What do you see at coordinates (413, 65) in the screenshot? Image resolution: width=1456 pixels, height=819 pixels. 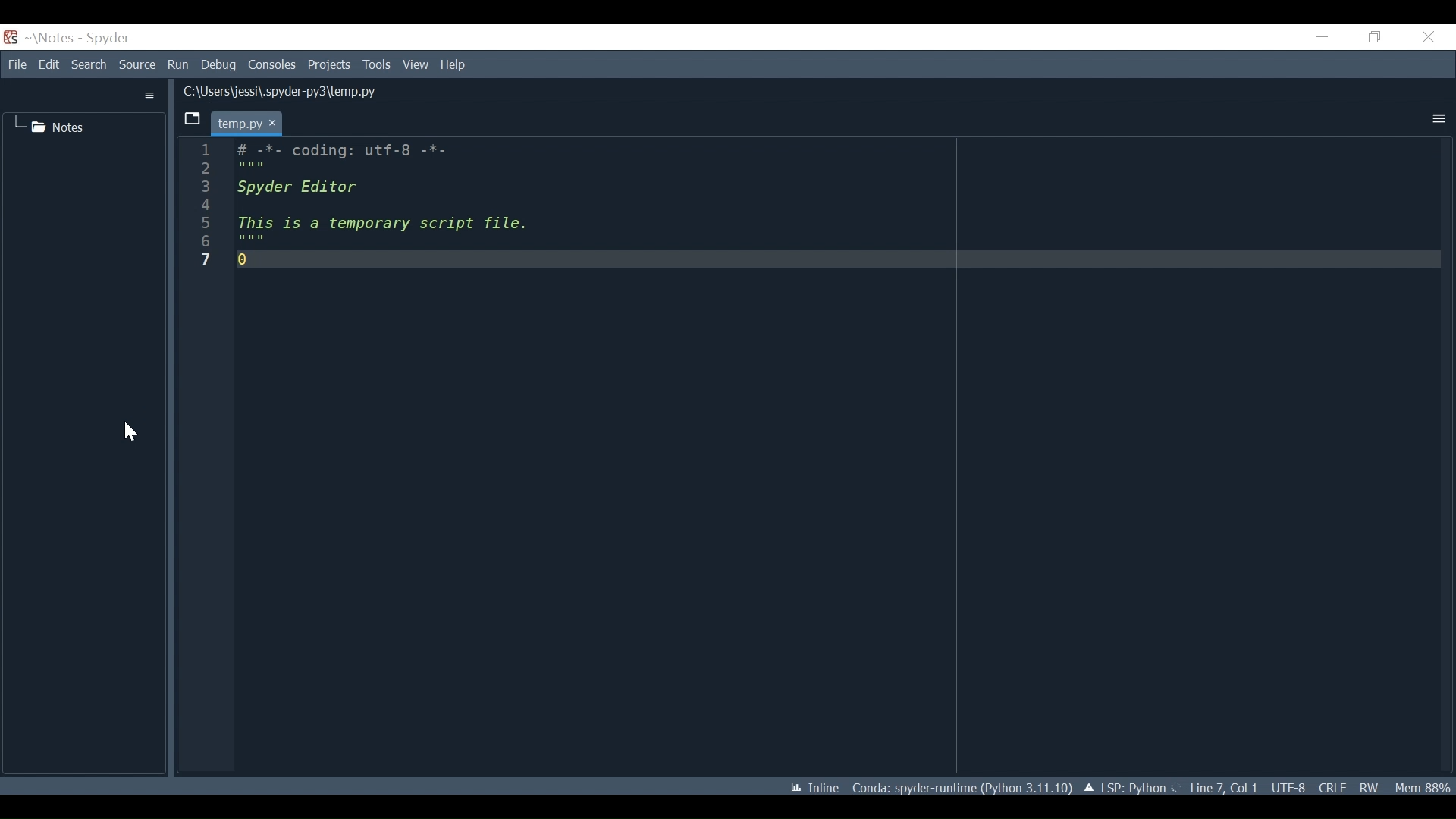 I see `View` at bounding box center [413, 65].